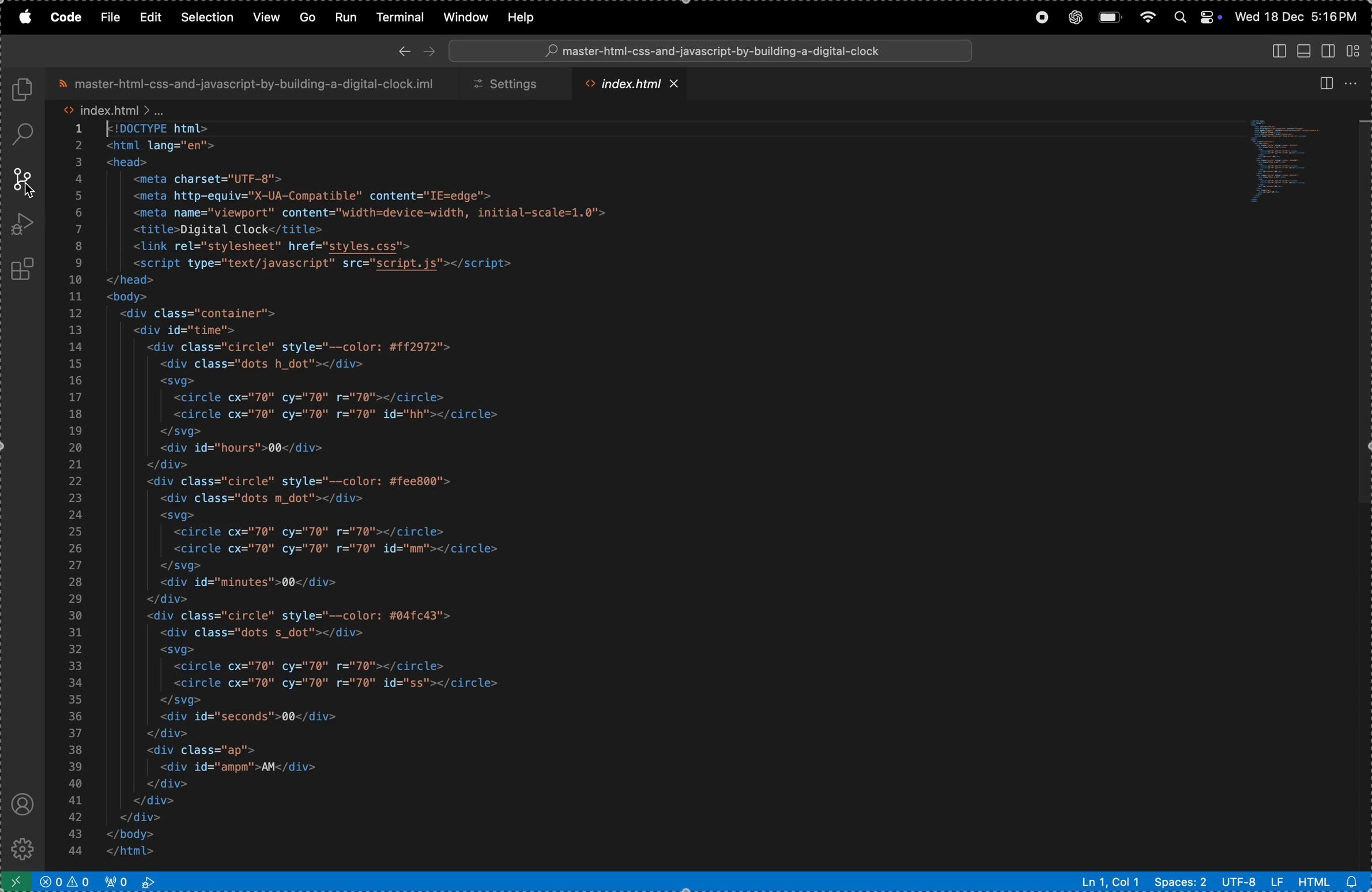 This screenshot has height=892, width=1372. What do you see at coordinates (131, 833) in the screenshot?
I see `</body>` at bounding box center [131, 833].